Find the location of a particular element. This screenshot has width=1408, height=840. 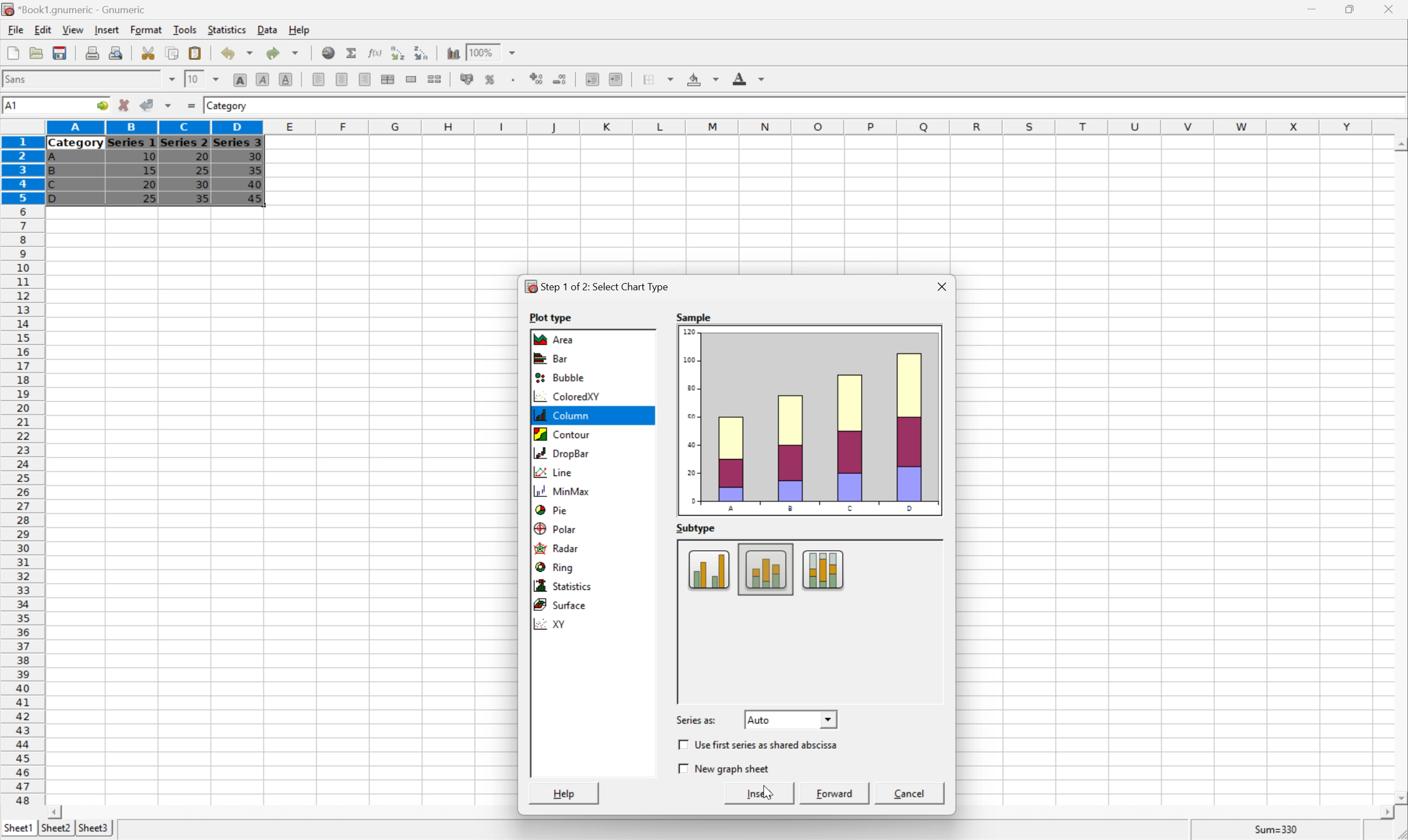

Cursor is located at coordinates (242, 196).